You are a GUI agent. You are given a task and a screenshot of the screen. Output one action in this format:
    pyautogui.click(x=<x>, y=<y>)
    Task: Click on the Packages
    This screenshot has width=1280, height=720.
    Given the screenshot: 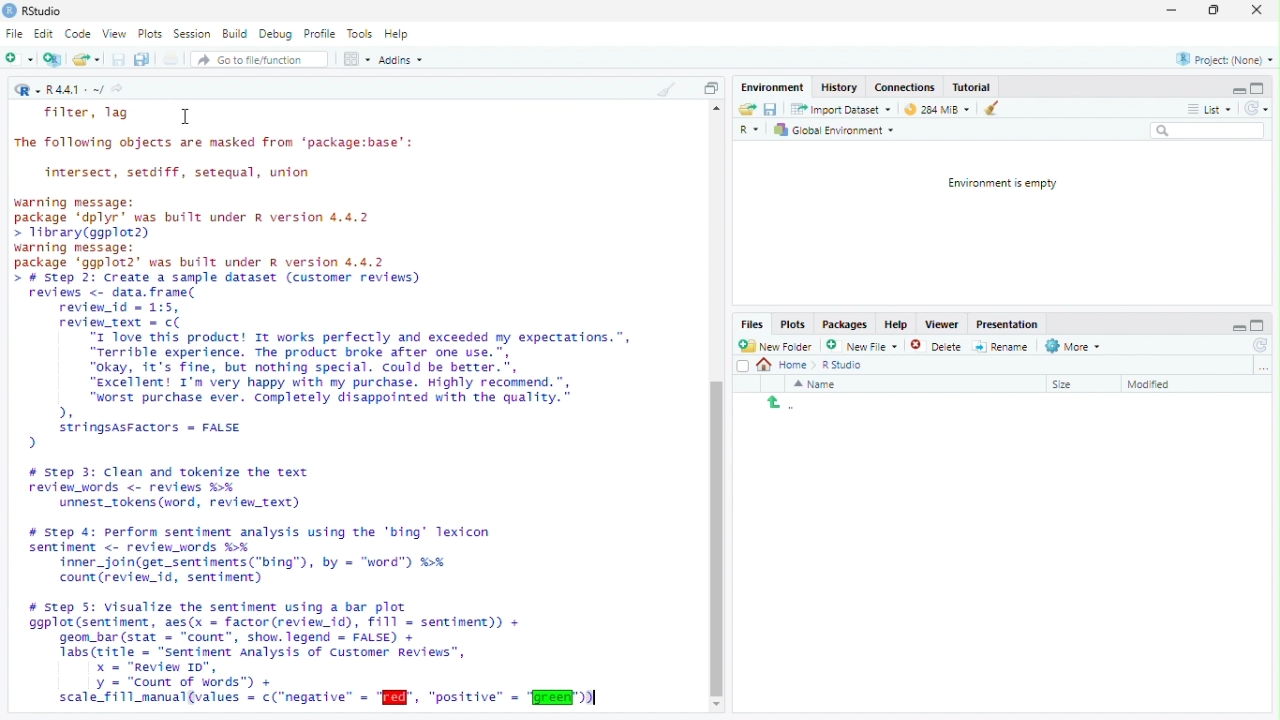 What is the action you would take?
    pyautogui.click(x=845, y=325)
    